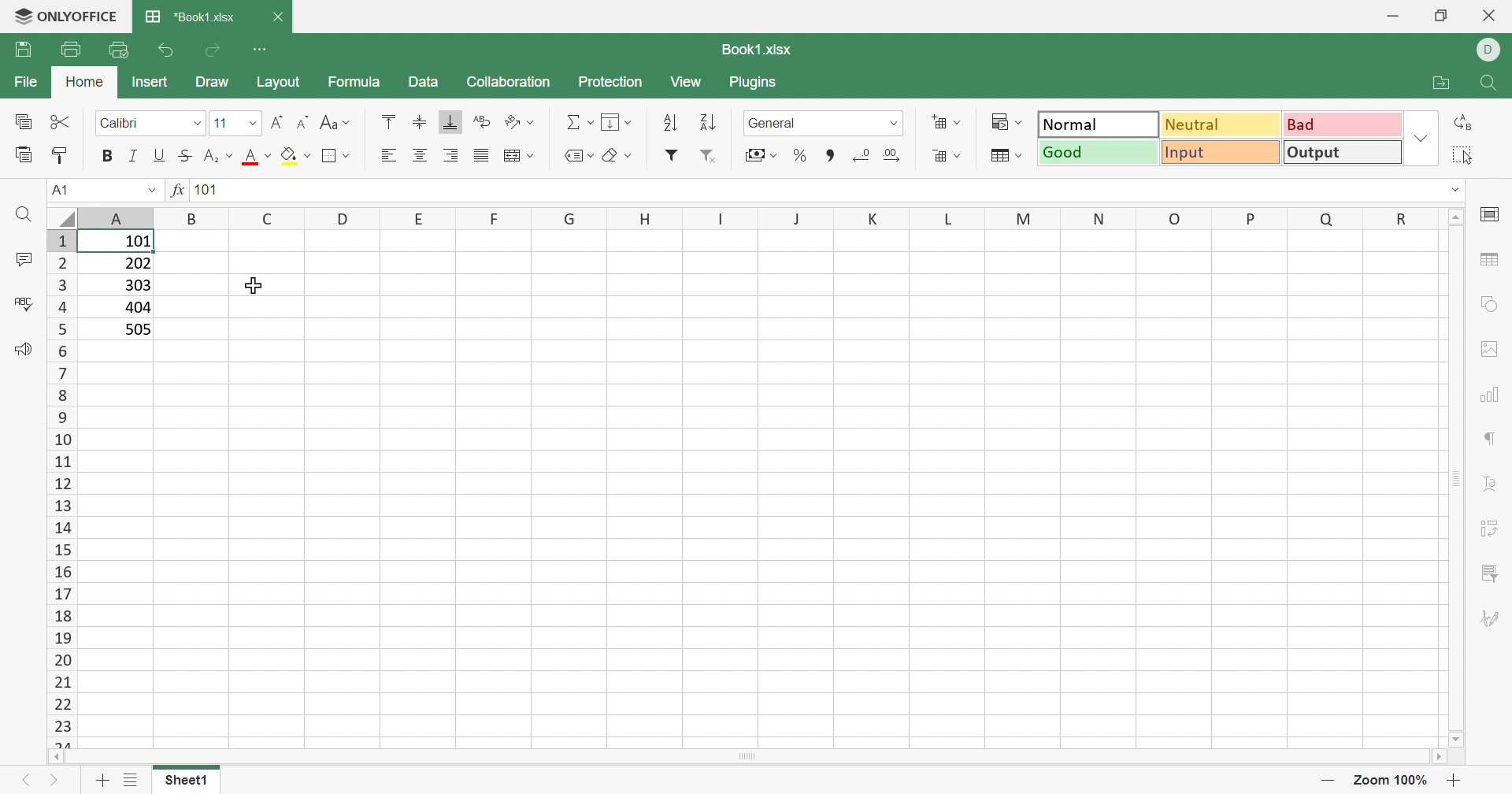 Image resolution: width=1512 pixels, height=794 pixels. I want to click on Bad, so click(1343, 124).